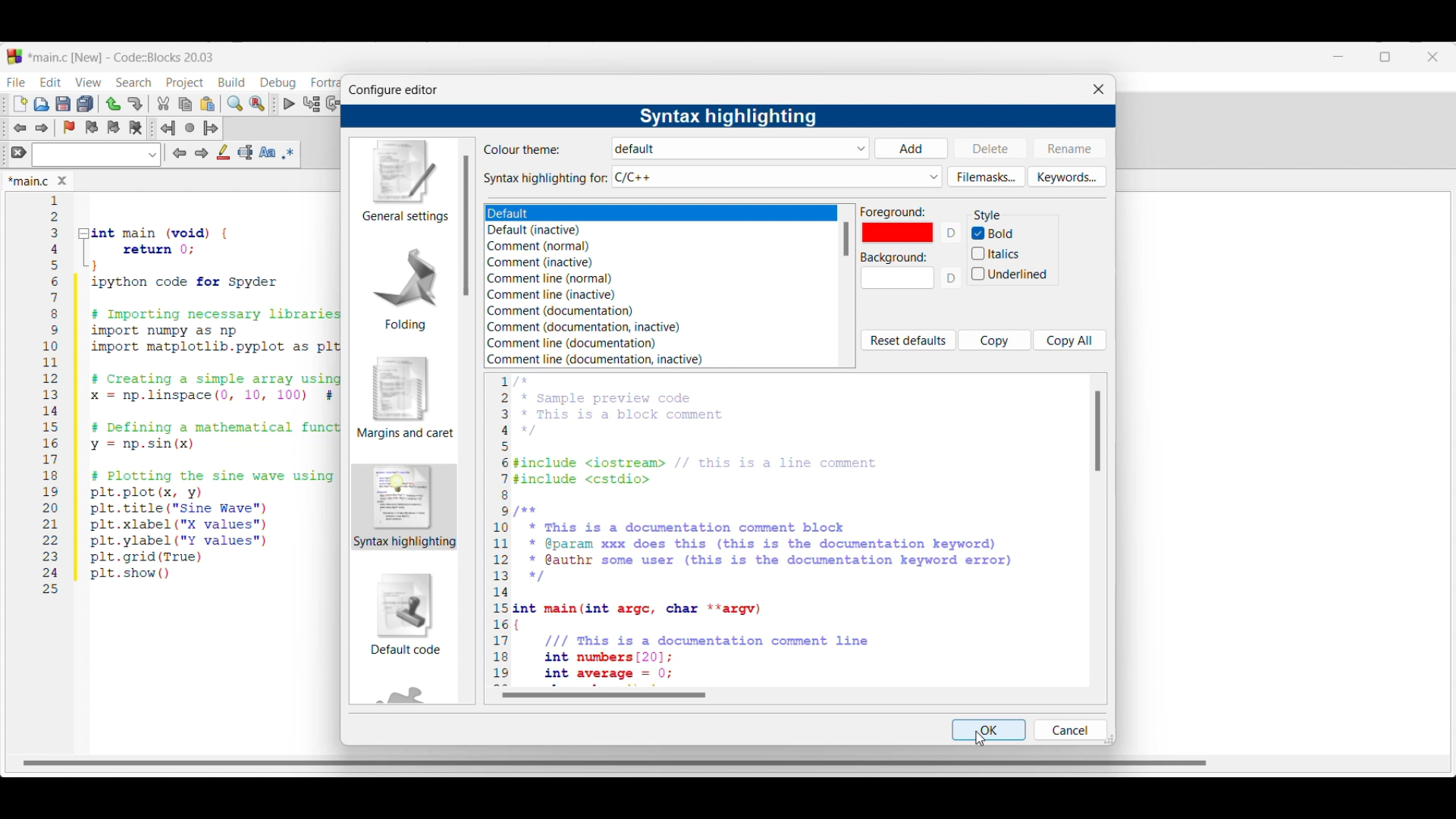 Image resolution: width=1456 pixels, height=819 pixels. I want to click on Jump back, so click(168, 128).